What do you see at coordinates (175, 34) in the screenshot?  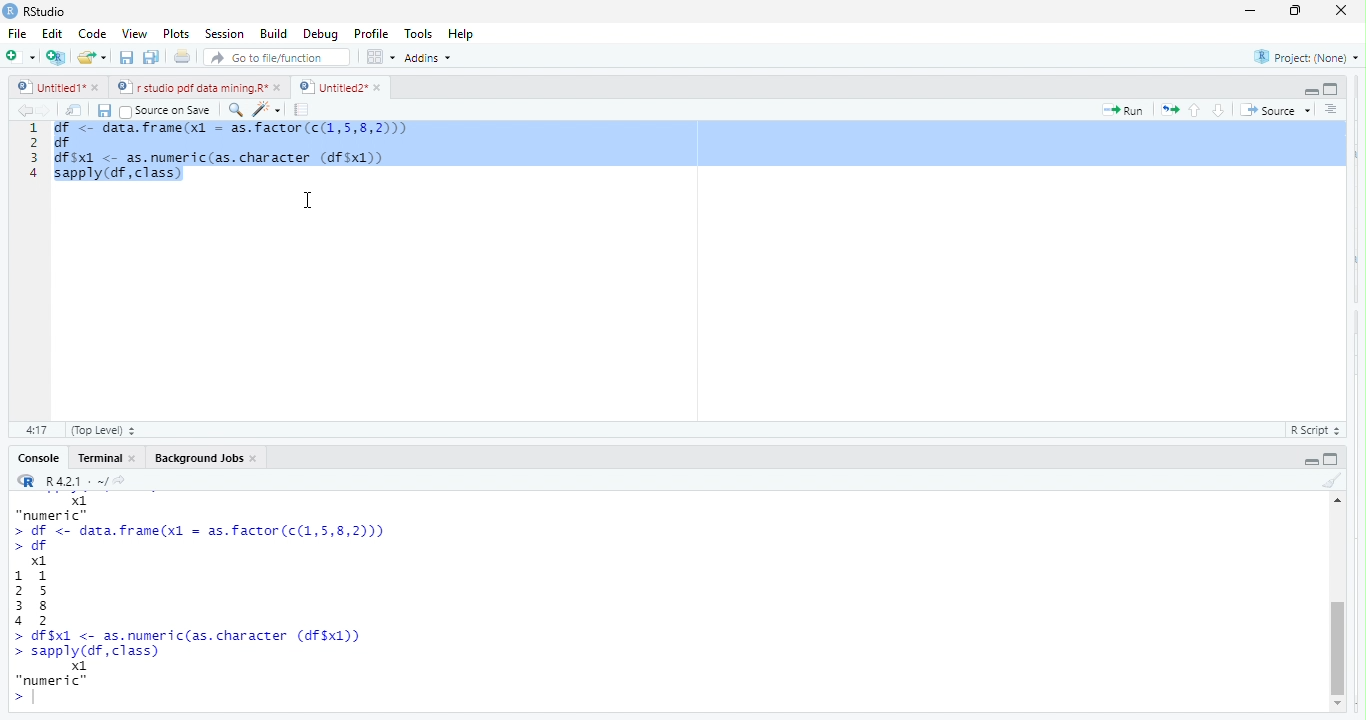 I see `Plots.` at bounding box center [175, 34].